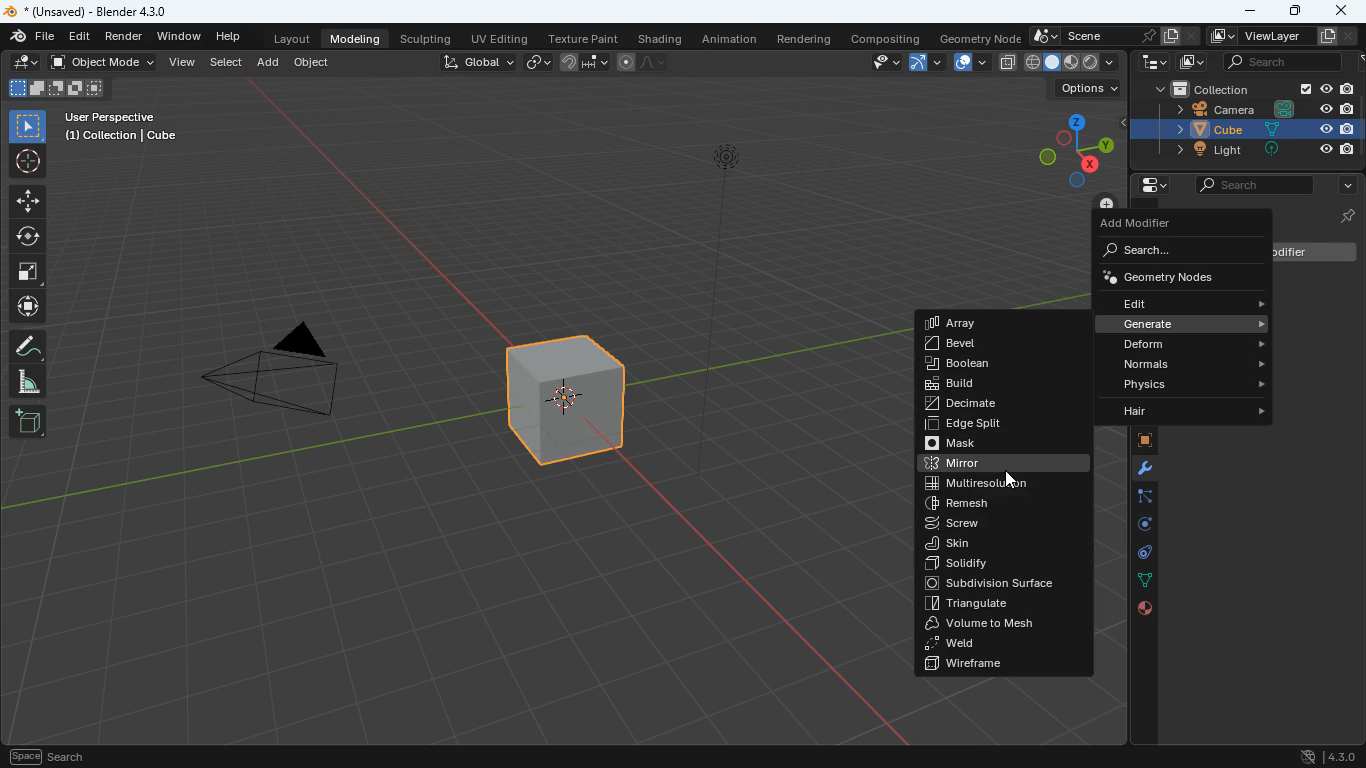  What do you see at coordinates (29, 382) in the screenshot?
I see `angle` at bounding box center [29, 382].